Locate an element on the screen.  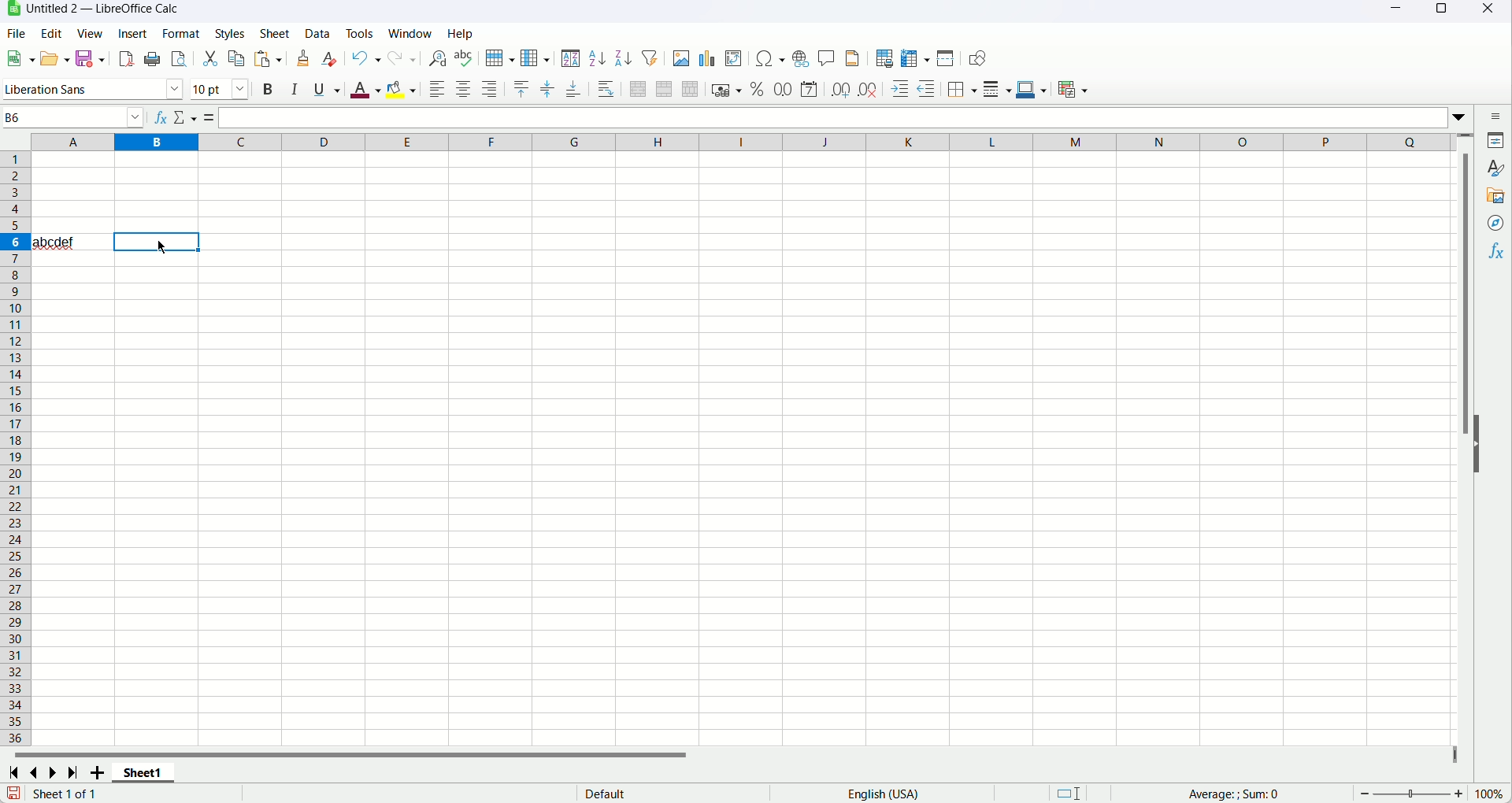
merge cells is located at coordinates (663, 88).